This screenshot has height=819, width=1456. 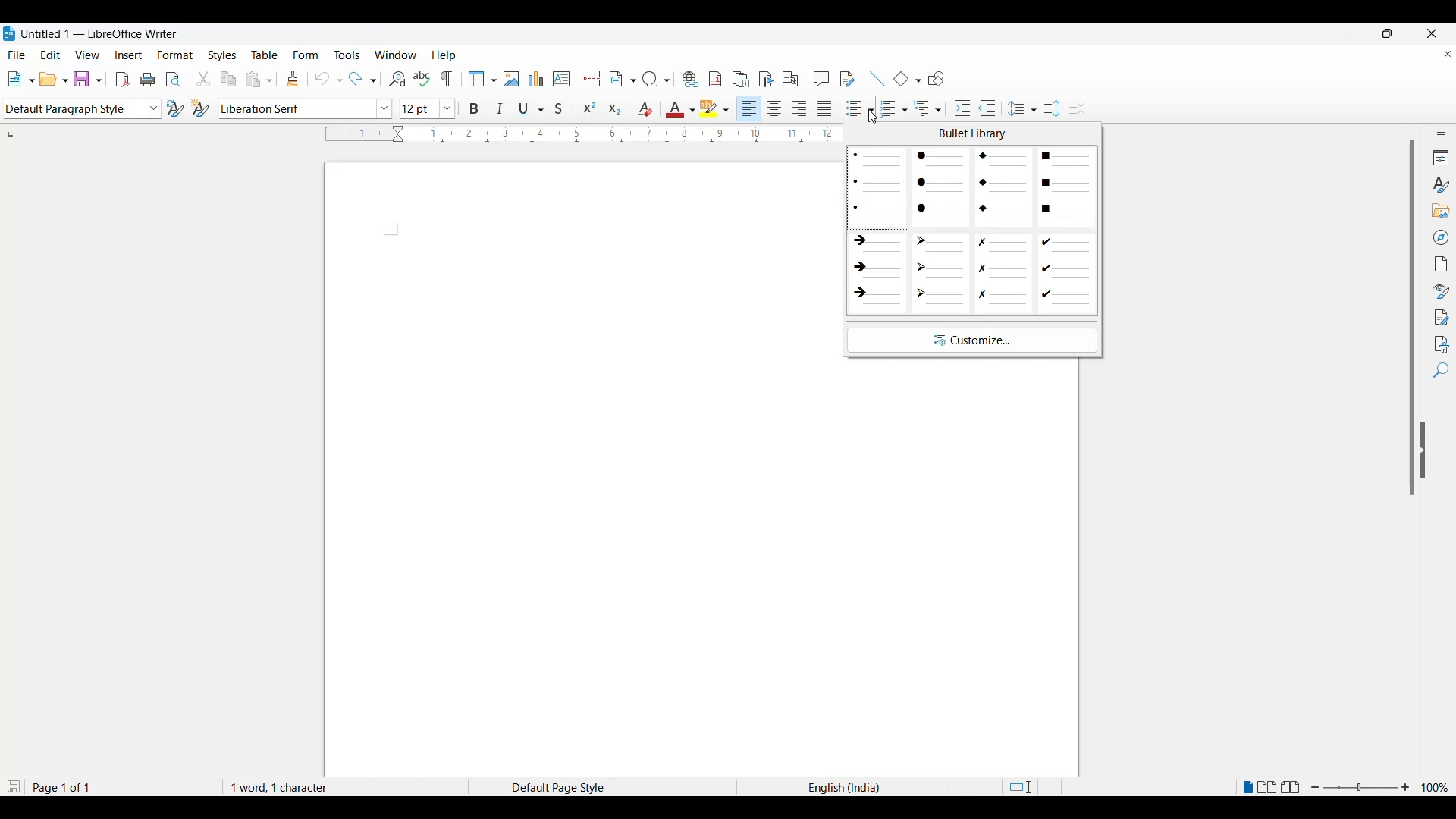 I want to click on Cursor, so click(x=873, y=118).